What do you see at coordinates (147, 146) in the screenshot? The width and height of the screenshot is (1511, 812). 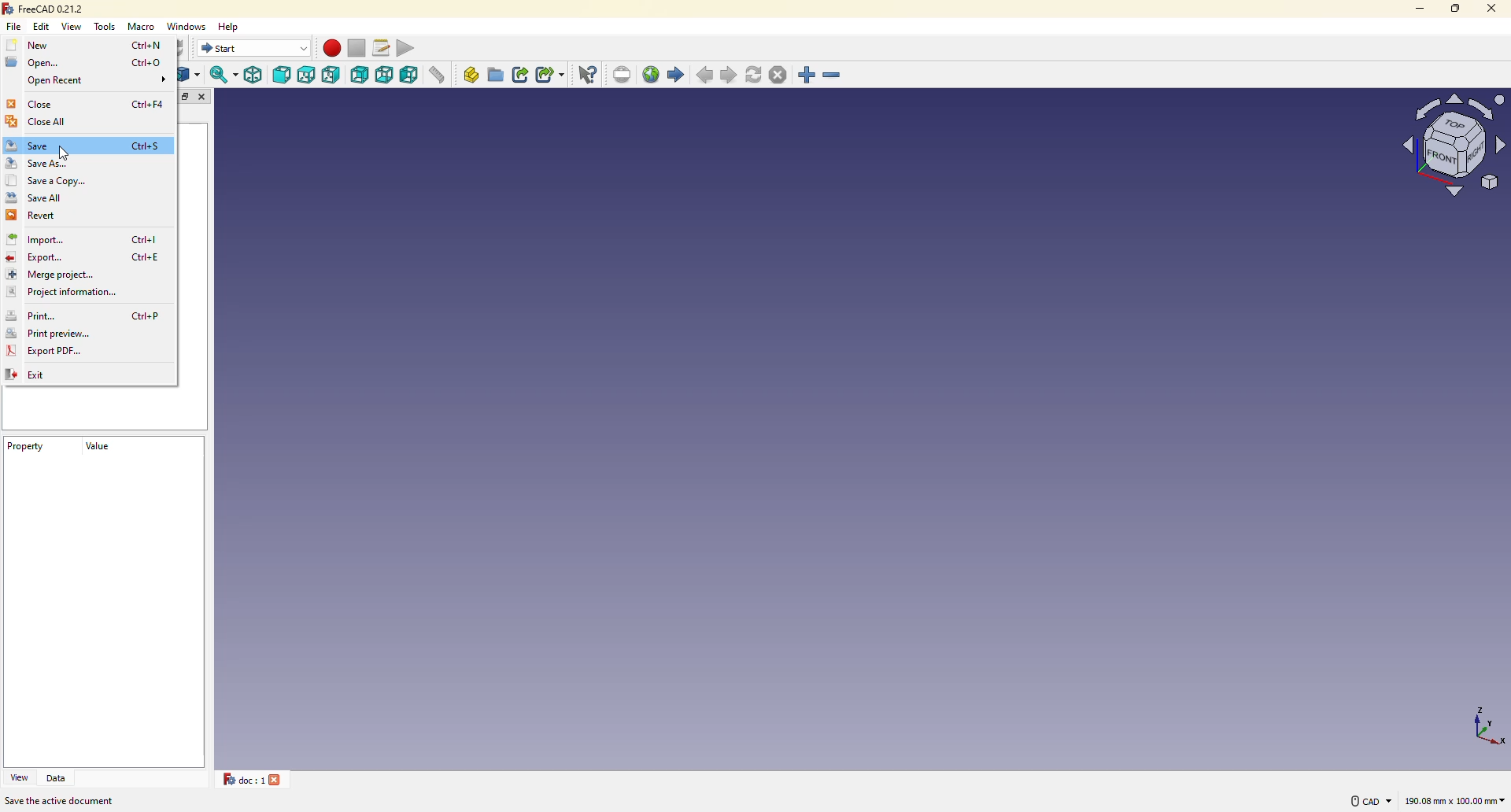 I see `ctrl+s` at bounding box center [147, 146].